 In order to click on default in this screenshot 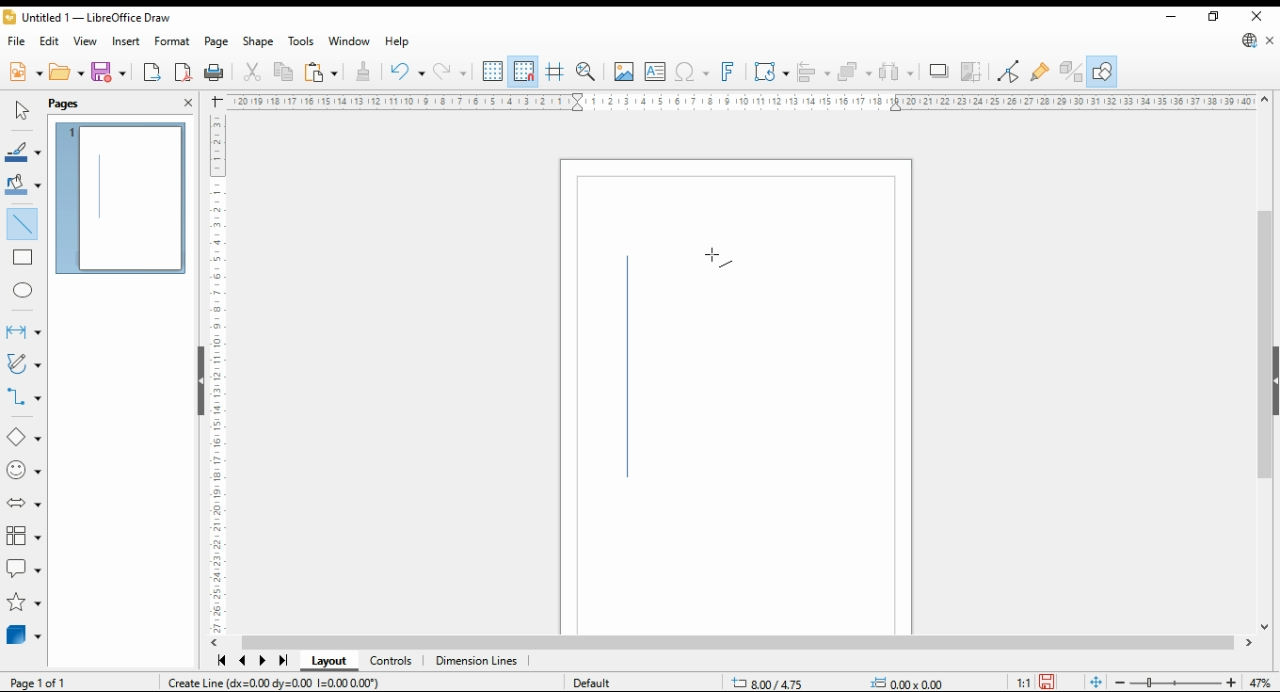, I will do `click(602, 680)`.